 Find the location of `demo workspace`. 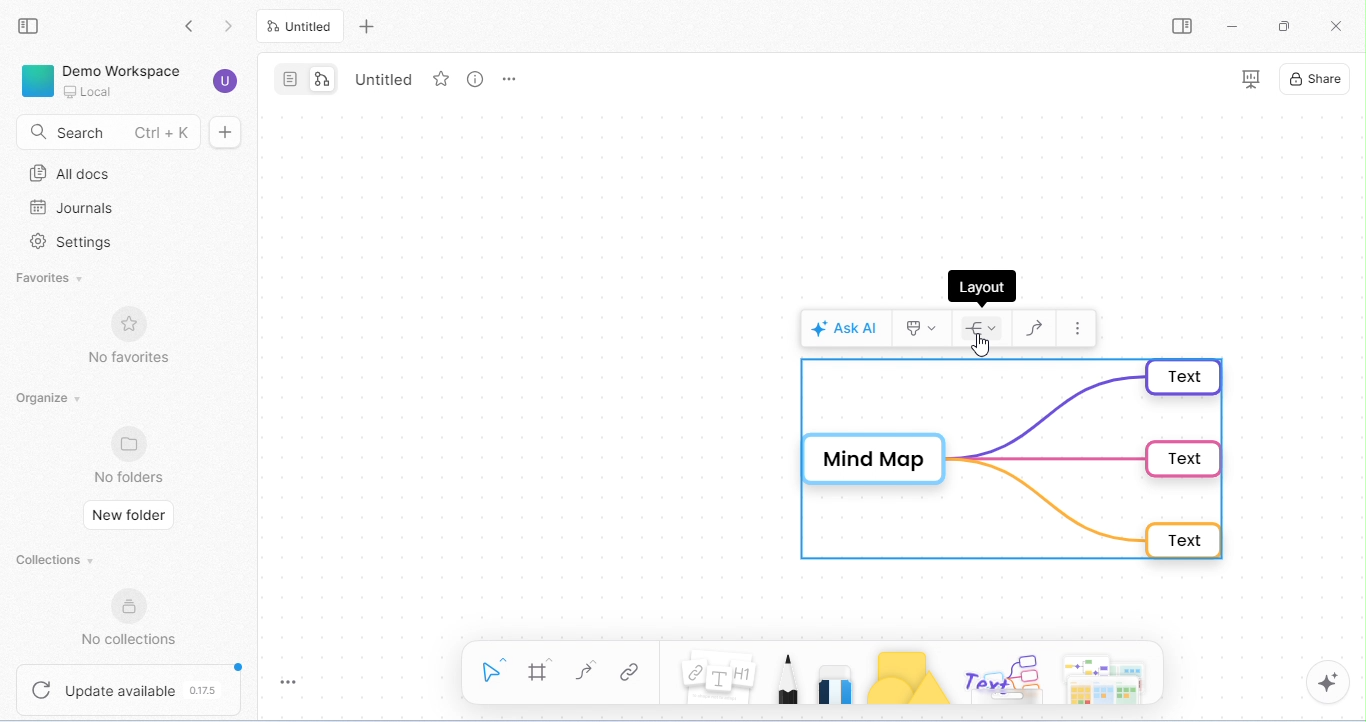

demo workspace is located at coordinates (128, 81).